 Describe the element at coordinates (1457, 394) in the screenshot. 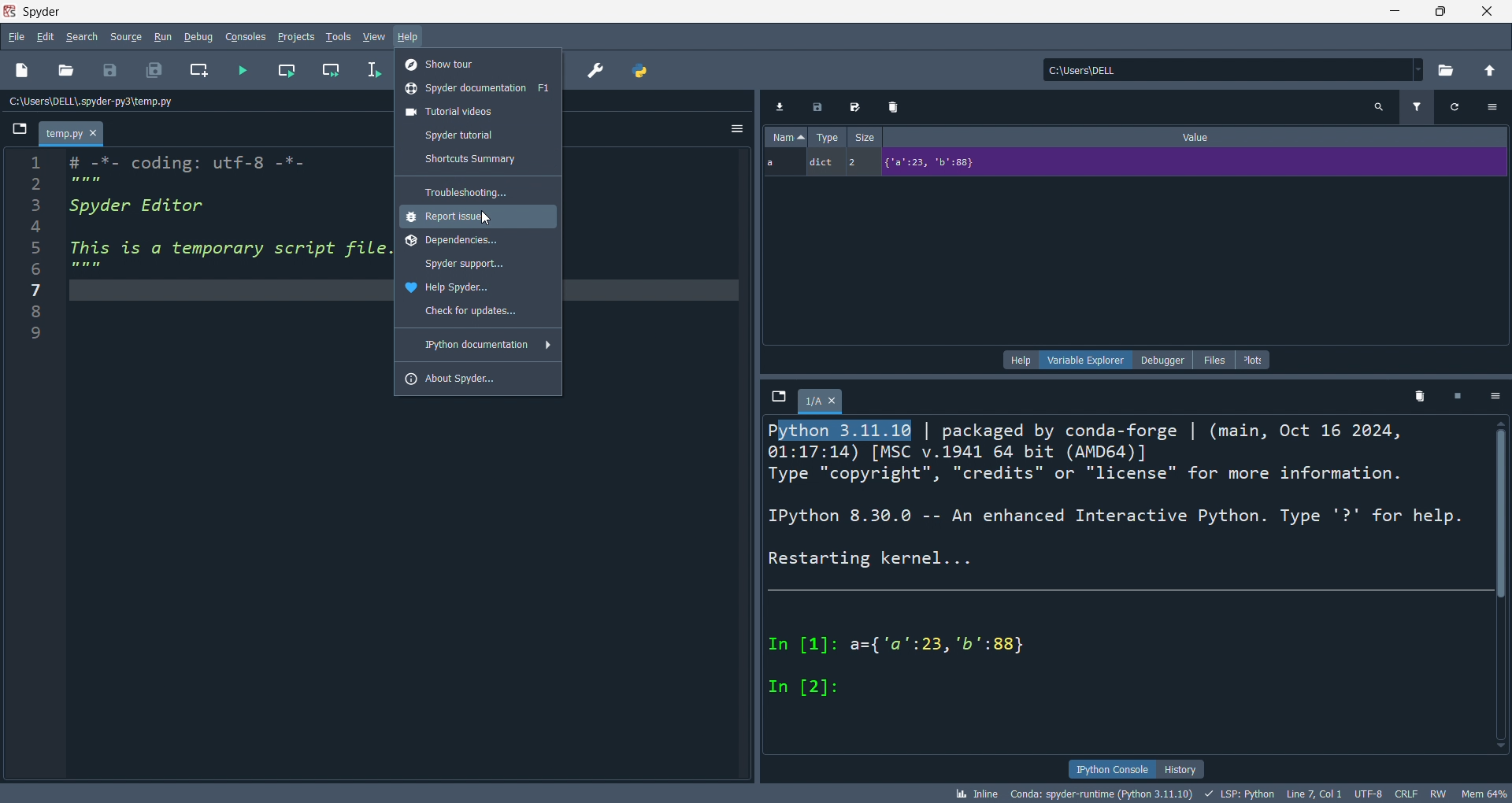

I see `Pause ` at that location.